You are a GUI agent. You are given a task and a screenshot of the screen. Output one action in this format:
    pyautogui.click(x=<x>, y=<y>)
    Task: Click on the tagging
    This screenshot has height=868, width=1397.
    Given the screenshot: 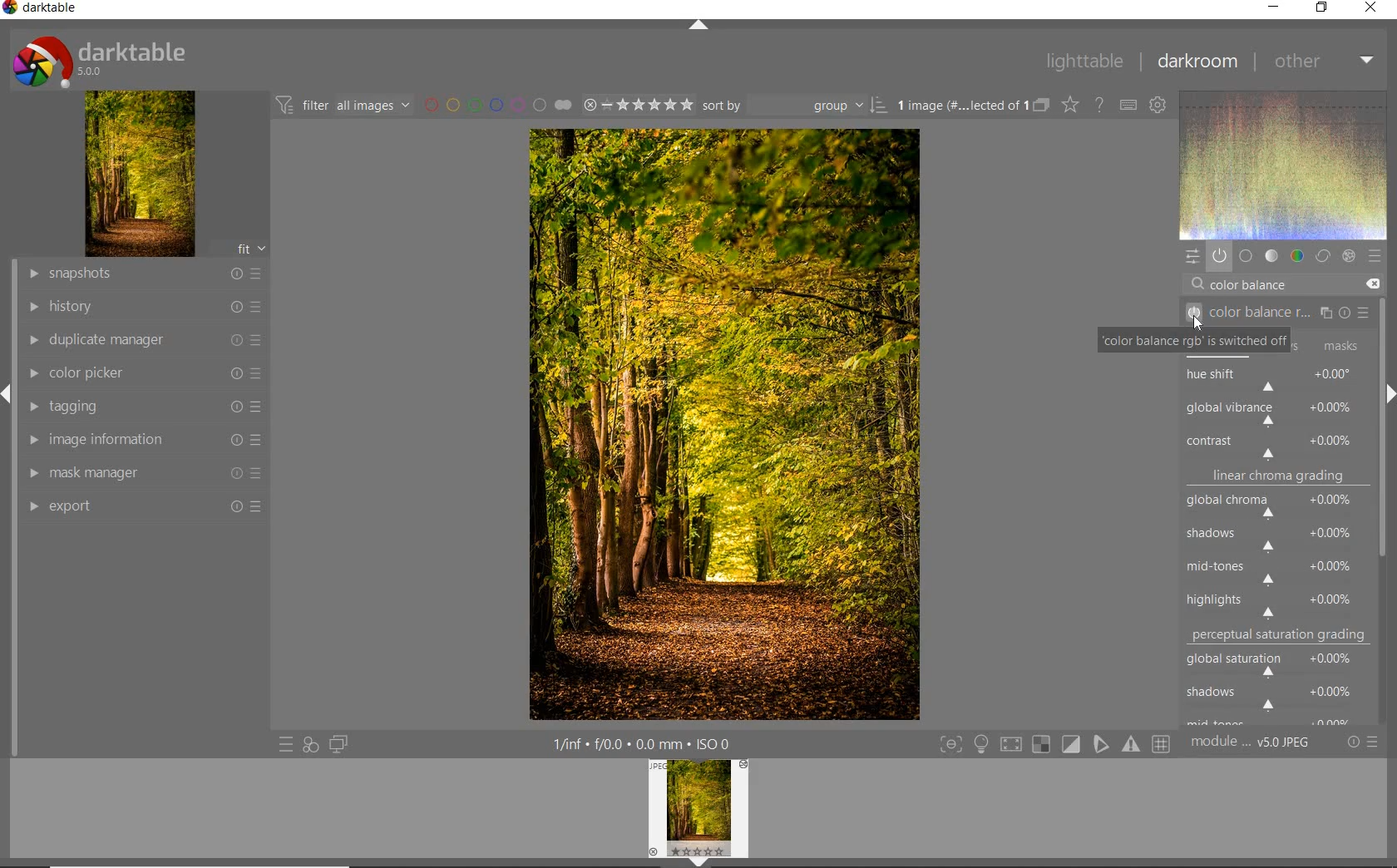 What is the action you would take?
    pyautogui.click(x=143, y=408)
    